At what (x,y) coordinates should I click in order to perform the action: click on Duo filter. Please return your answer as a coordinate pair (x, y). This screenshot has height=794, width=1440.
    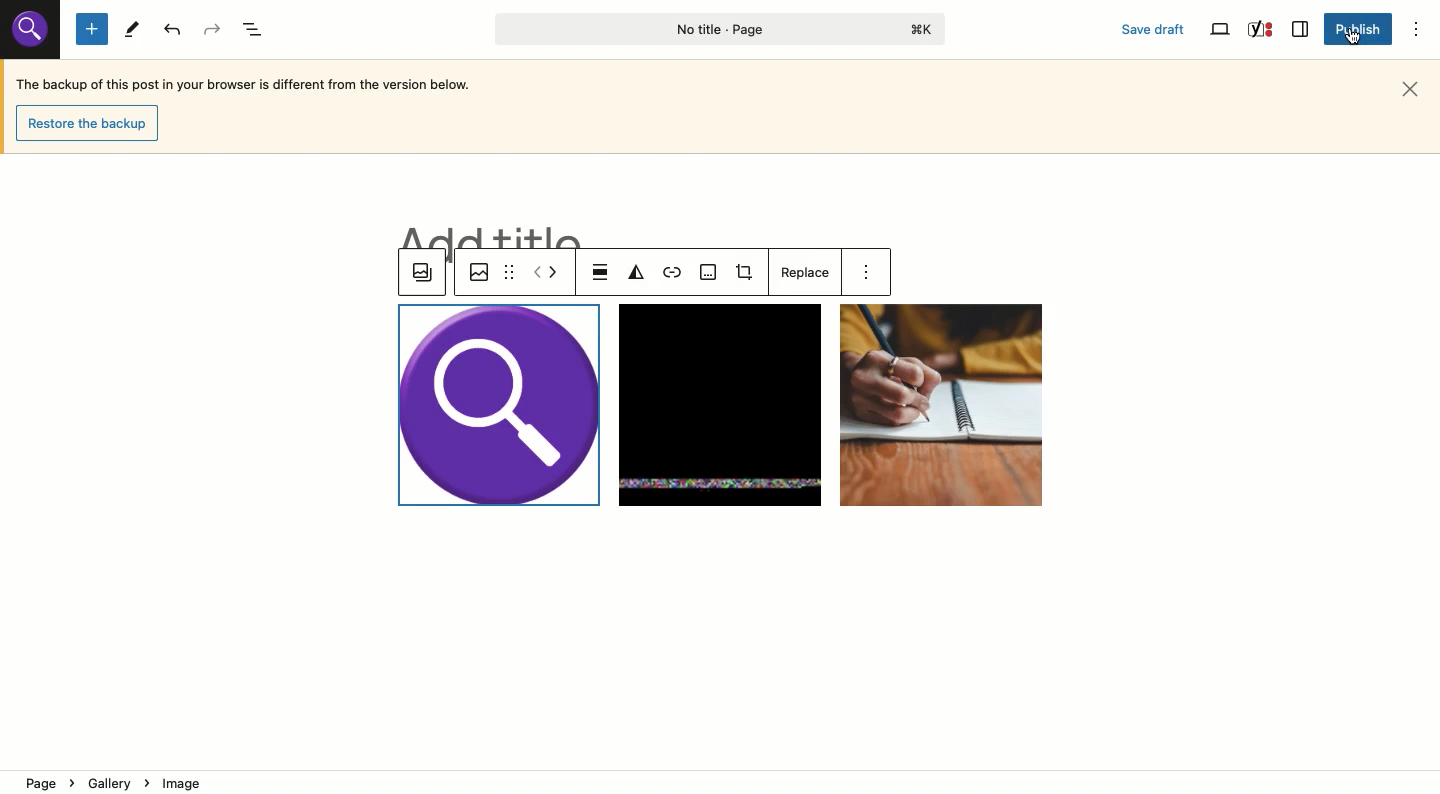
    Looking at the image, I should click on (636, 274).